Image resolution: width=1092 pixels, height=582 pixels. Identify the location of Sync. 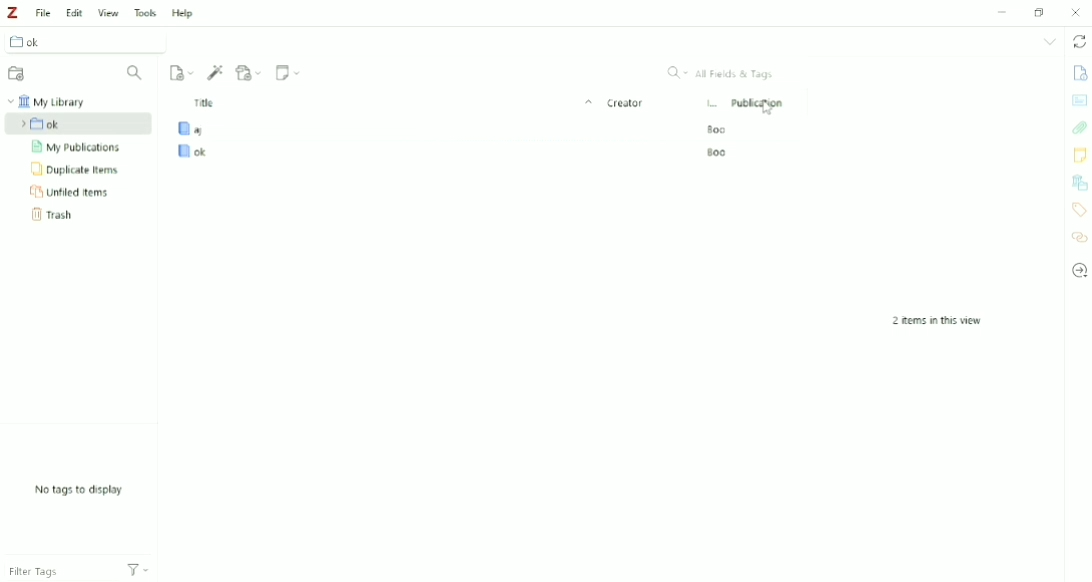
(1079, 42).